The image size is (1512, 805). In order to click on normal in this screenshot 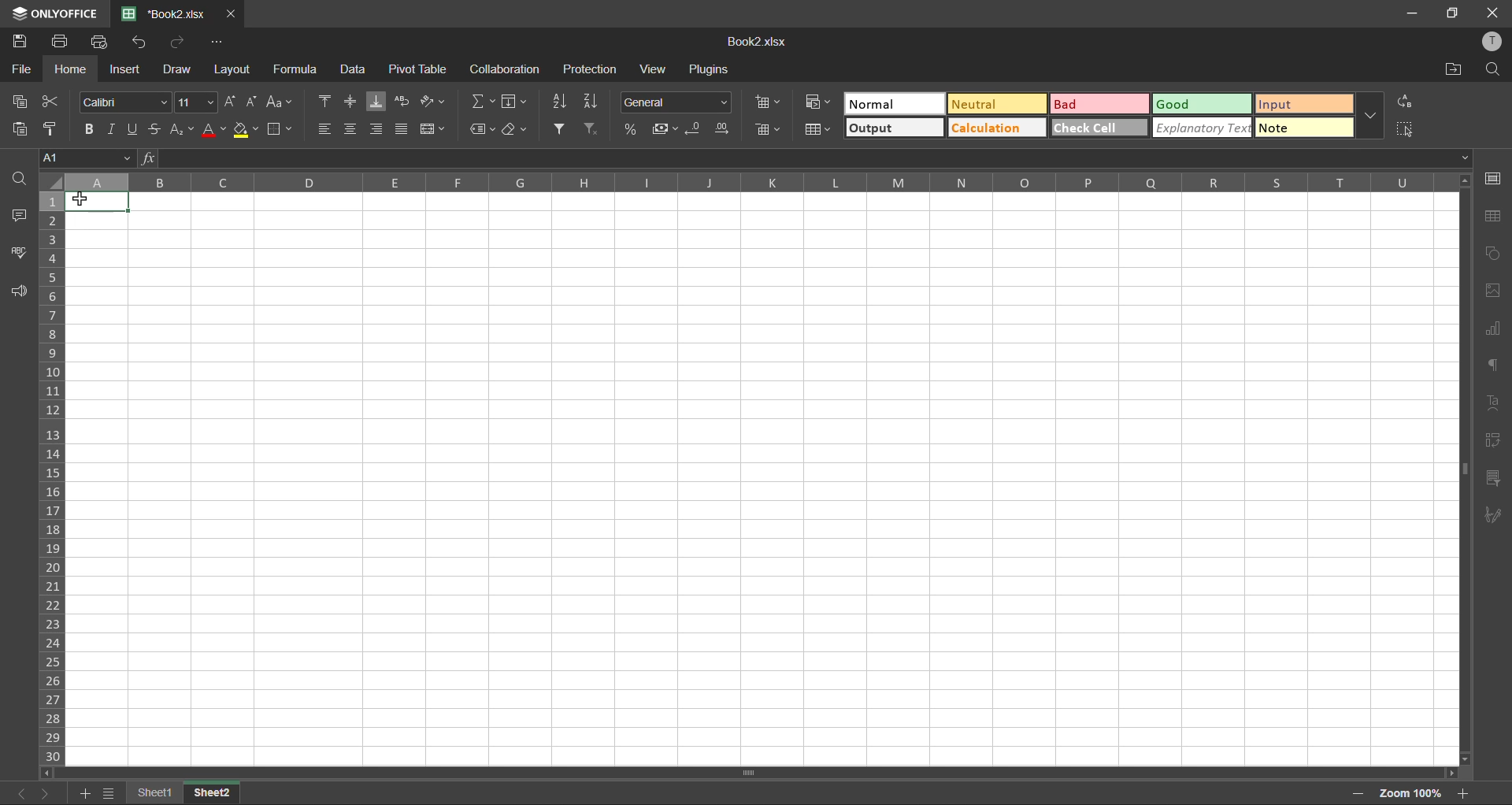, I will do `click(896, 103)`.